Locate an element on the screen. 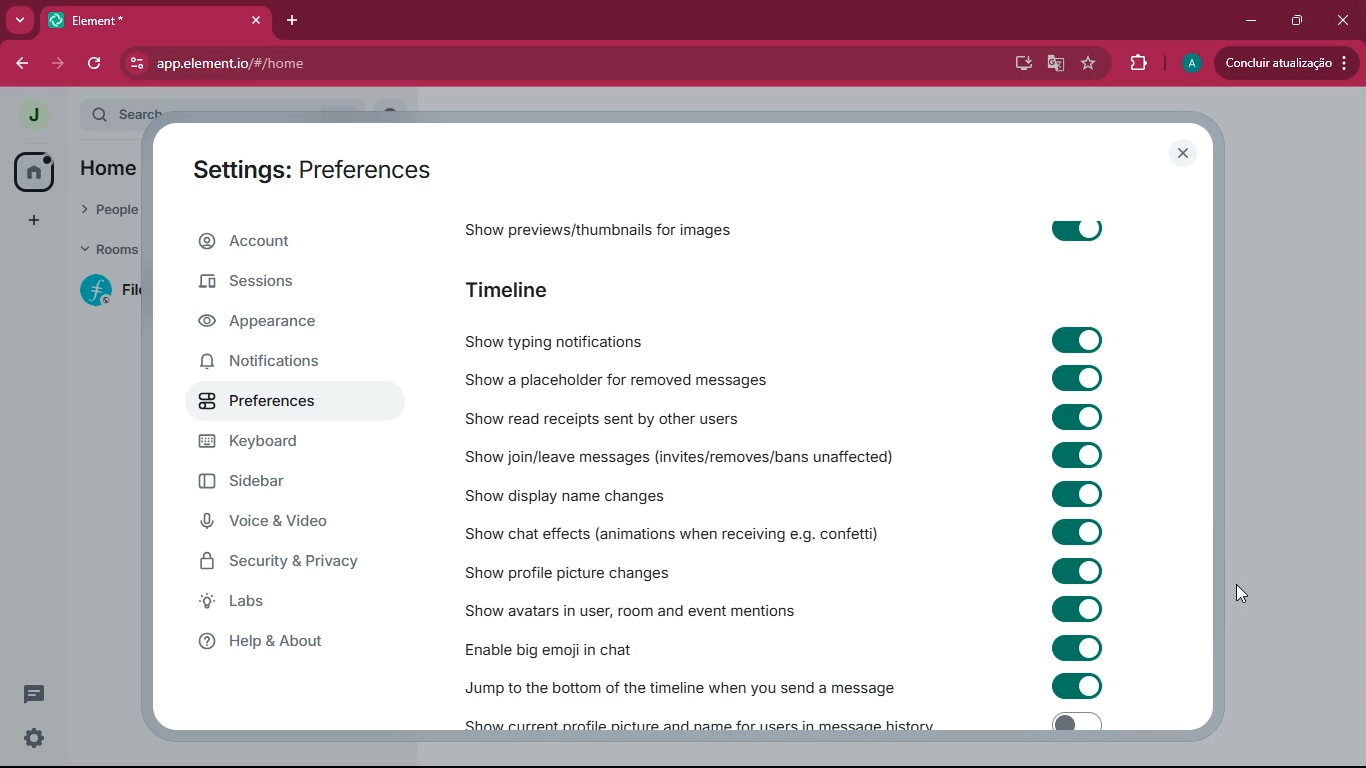 The height and width of the screenshot is (768, 1366). toggle on  is located at coordinates (1081, 648).